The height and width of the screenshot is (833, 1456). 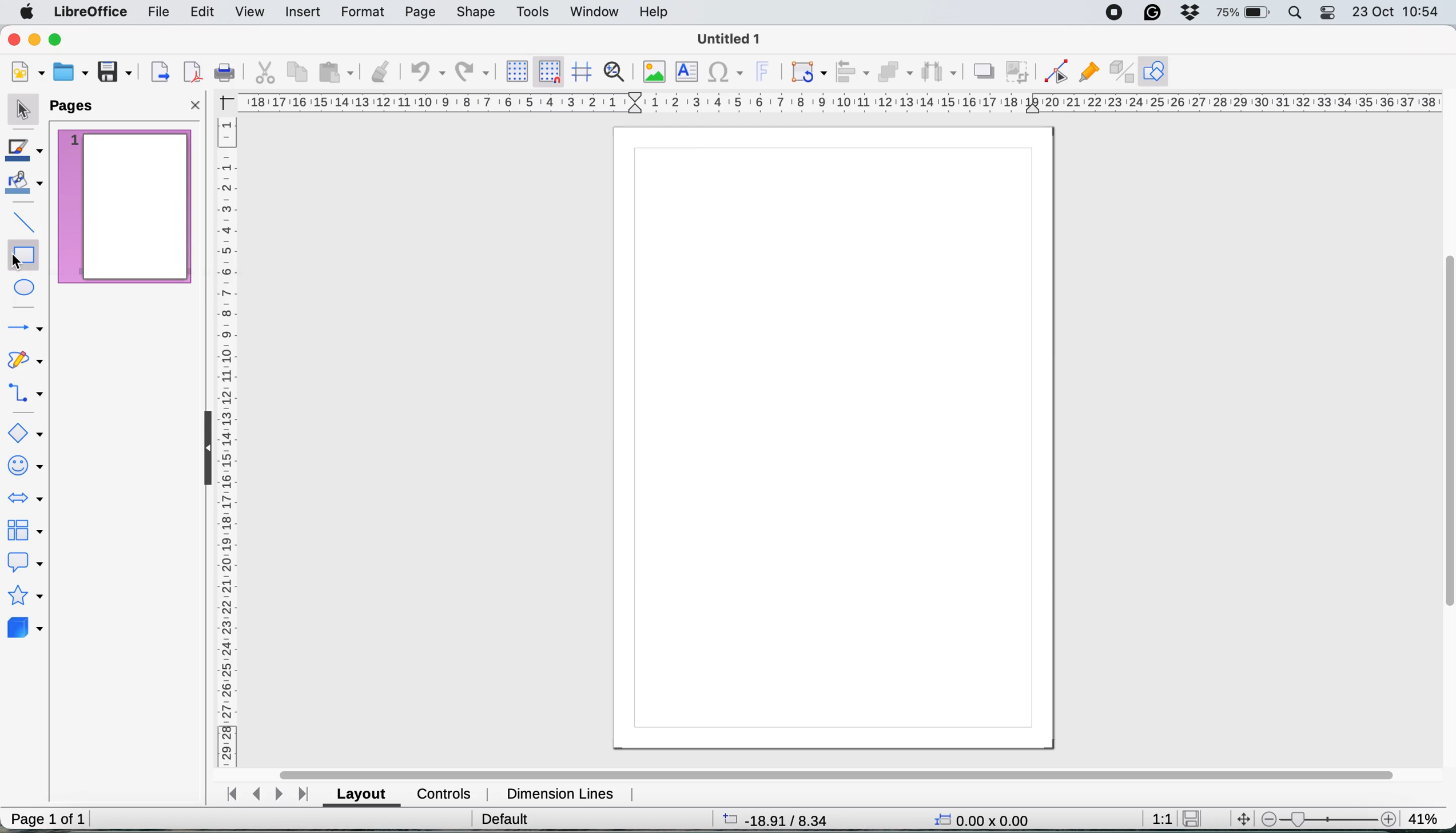 I want to click on close, so click(x=14, y=39).